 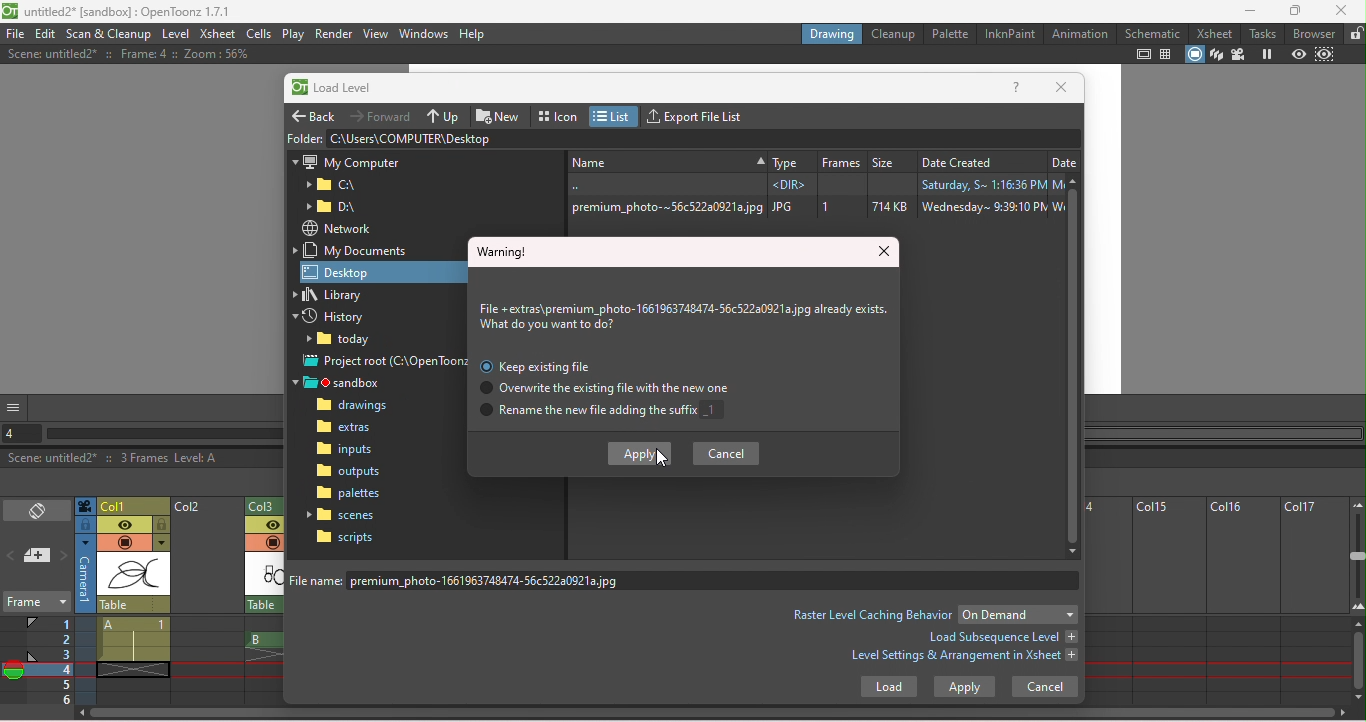 What do you see at coordinates (316, 113) in the screenshot?
I see `Back` at bounding box center [316, 113].